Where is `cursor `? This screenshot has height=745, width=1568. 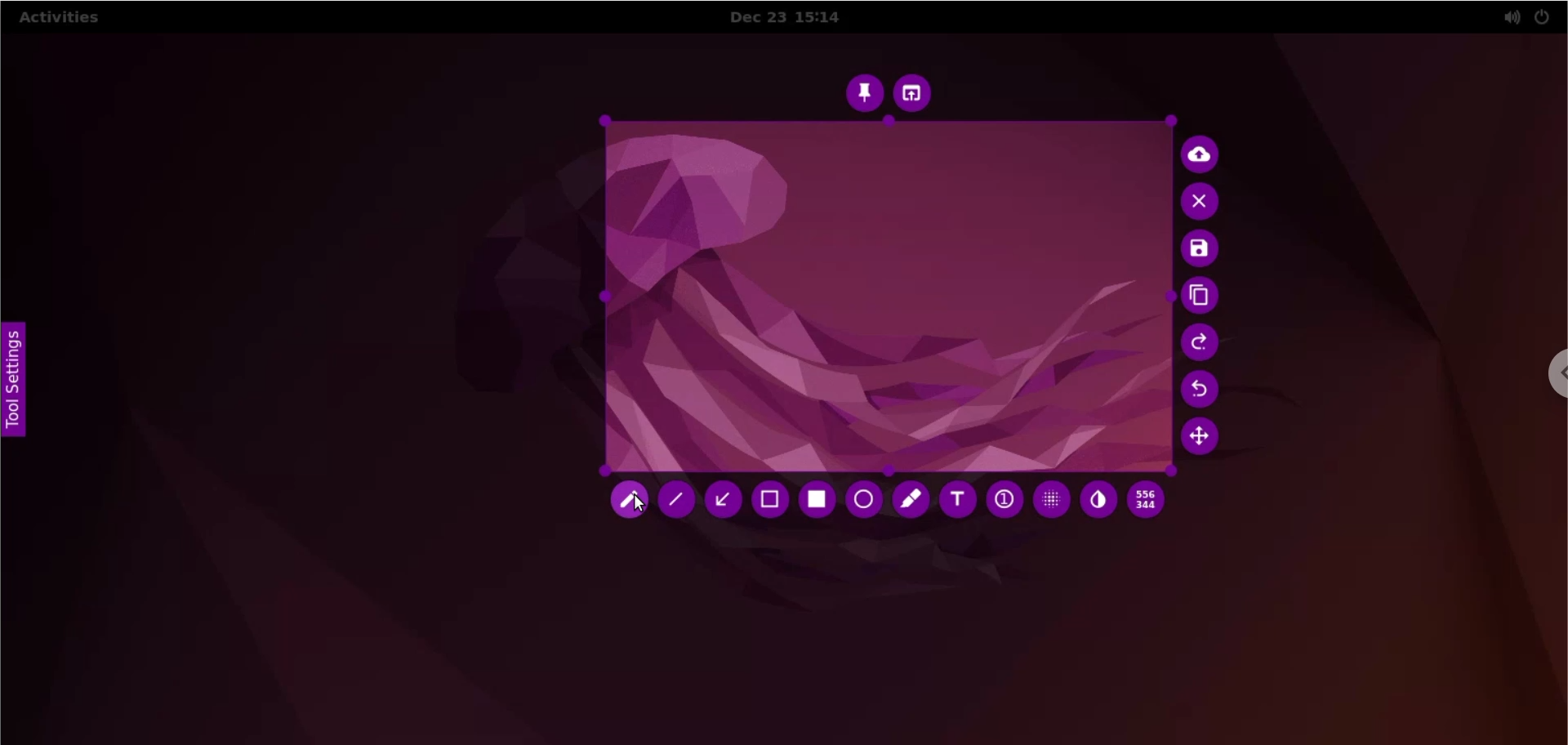
cursor  is located at coordinates (634, 506).